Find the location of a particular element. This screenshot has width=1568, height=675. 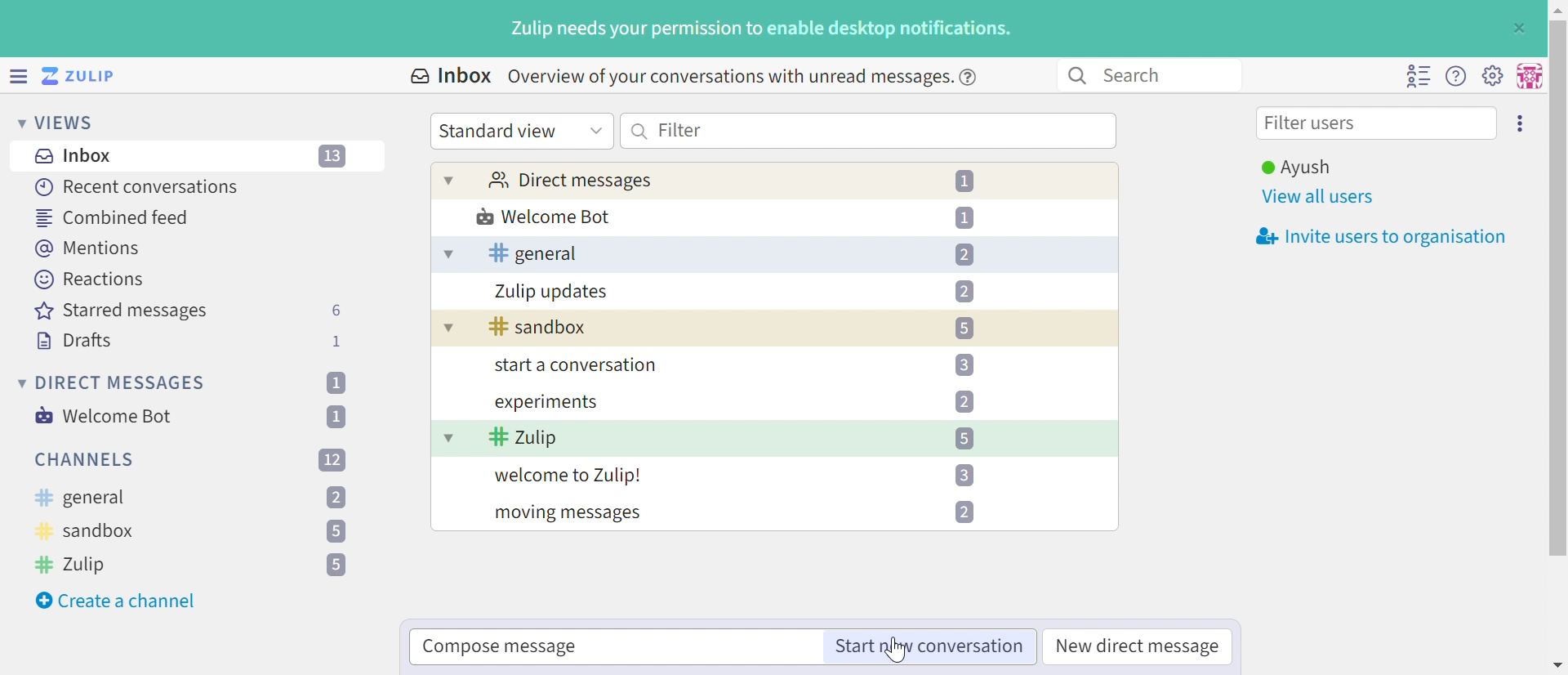

welcome to Zulip! is located at coordinates (569, 477).